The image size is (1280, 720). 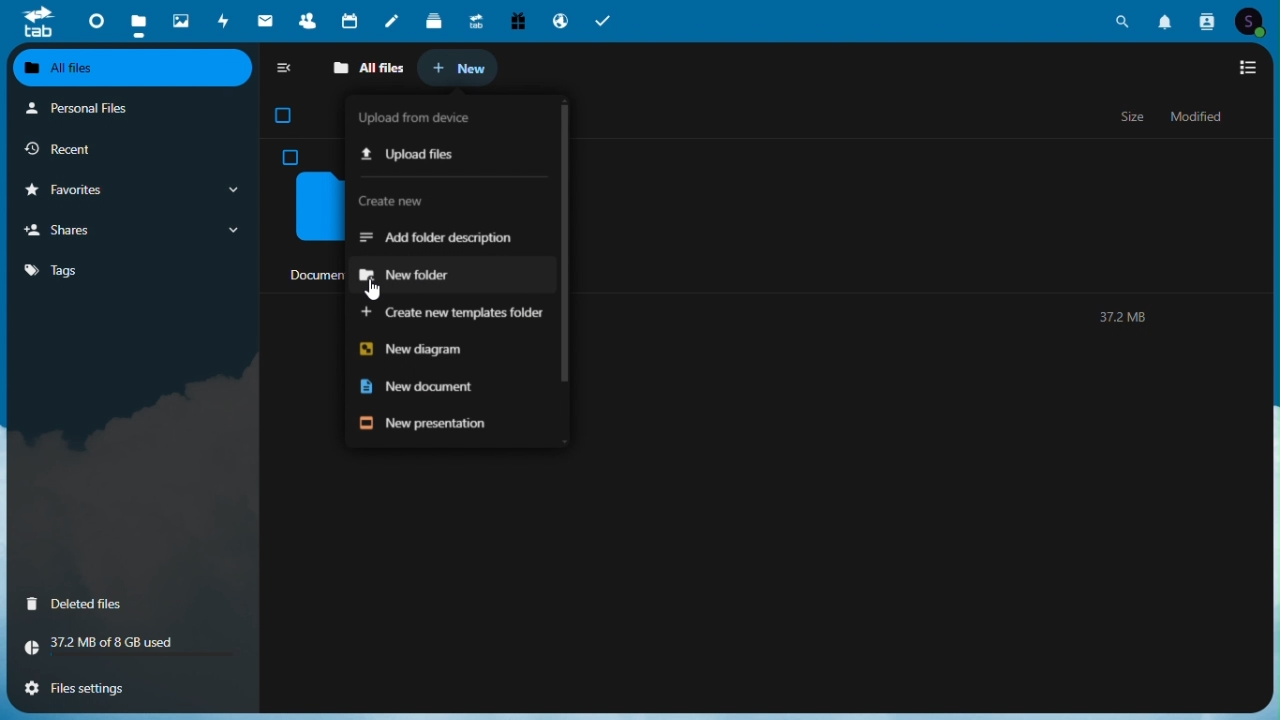 I want to click on collapse side bar, so click(x=287, y=65).